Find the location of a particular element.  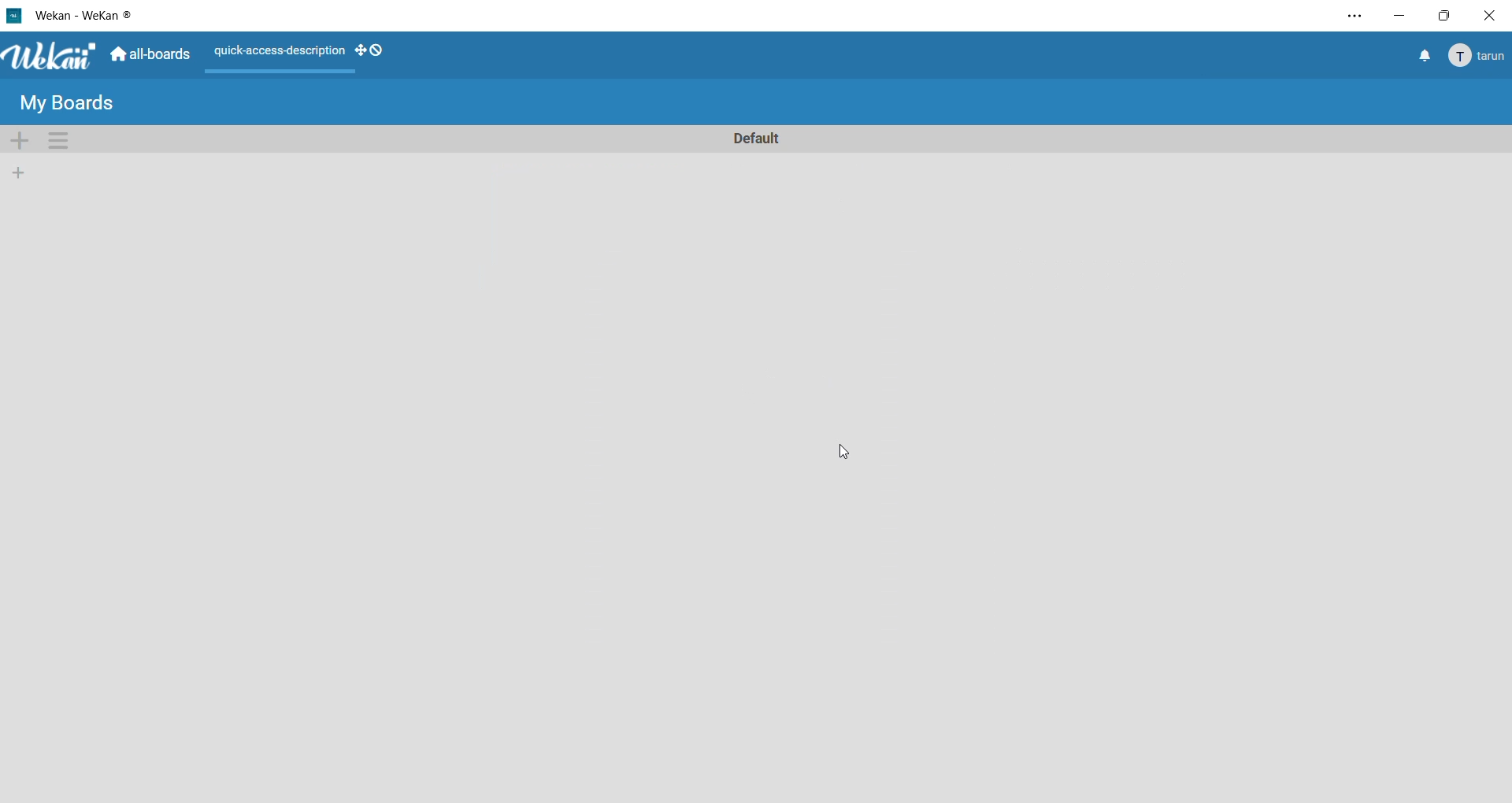

menu is located at coordinates (1475, 57).